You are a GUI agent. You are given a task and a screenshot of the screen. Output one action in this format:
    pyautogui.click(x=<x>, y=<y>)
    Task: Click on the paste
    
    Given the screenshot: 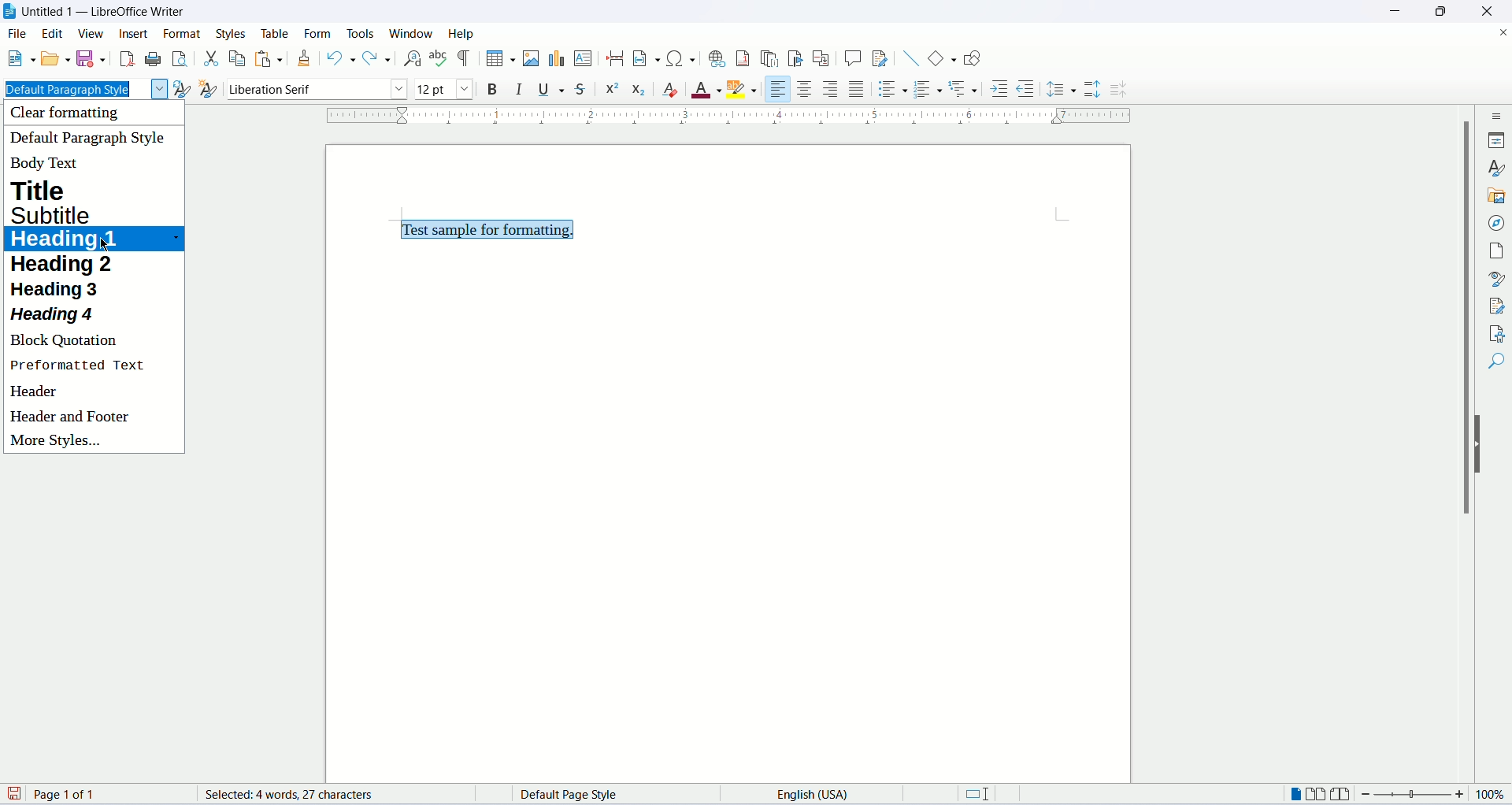 What is the action you would take?
    pyautogui.click(x=264, y=58)
    